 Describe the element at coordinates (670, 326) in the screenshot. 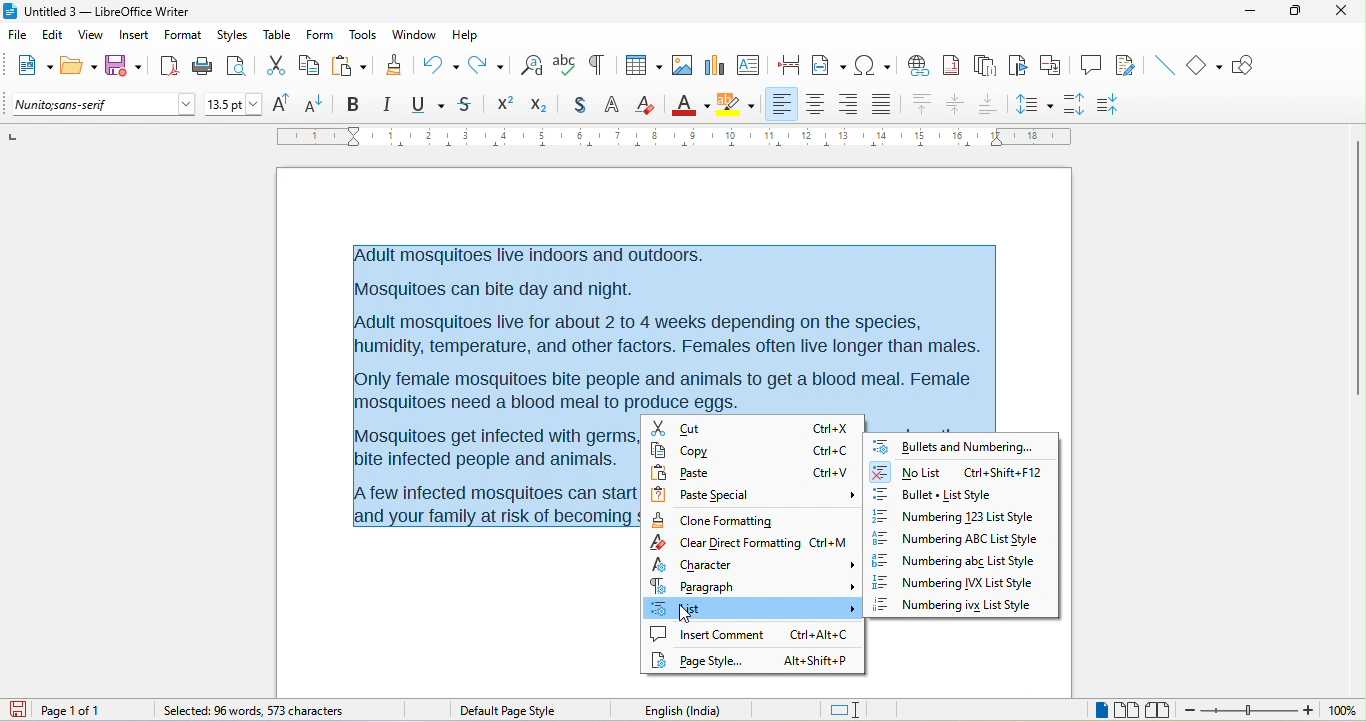

I see `Adult mosquitoes live indoors and outdoors.Mosquitoes can bite day and night.Adult mosquitoes live for about 2 to 4 weeks depending on the species,humidity, temperature, and other factors. Females often live longer than males.Only female mosquitoes bite people and animals to get a blood meal. Femalemosquitoes need a blood meal to produce eggs.` at that location.